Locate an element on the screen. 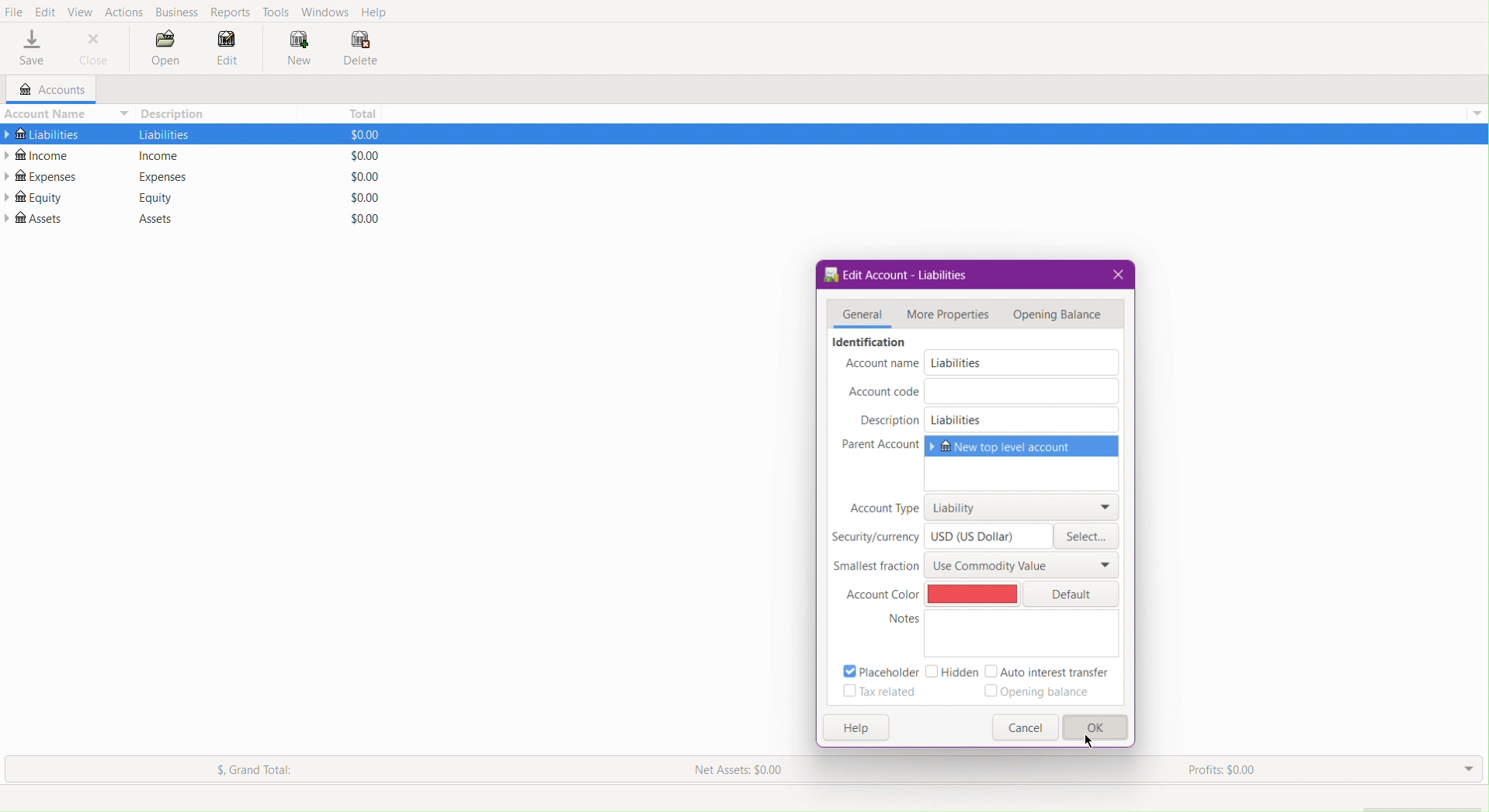 This screenshot has width=1489, height=812. Help is located at coordinates (377, 12).